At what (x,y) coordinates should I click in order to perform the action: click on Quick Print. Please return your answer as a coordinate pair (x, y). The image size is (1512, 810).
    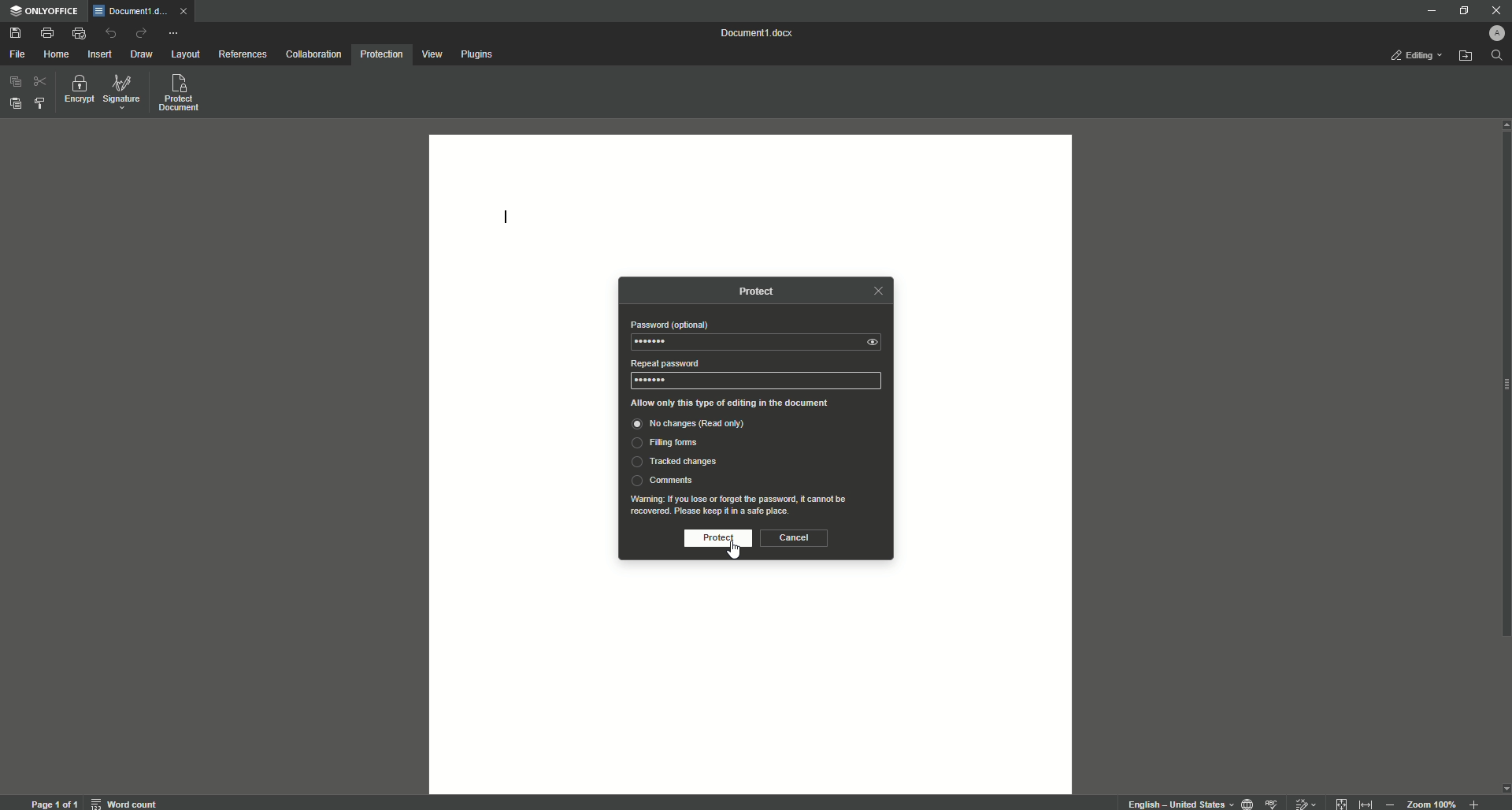
    Looking at the image, I should click on (79, 32).